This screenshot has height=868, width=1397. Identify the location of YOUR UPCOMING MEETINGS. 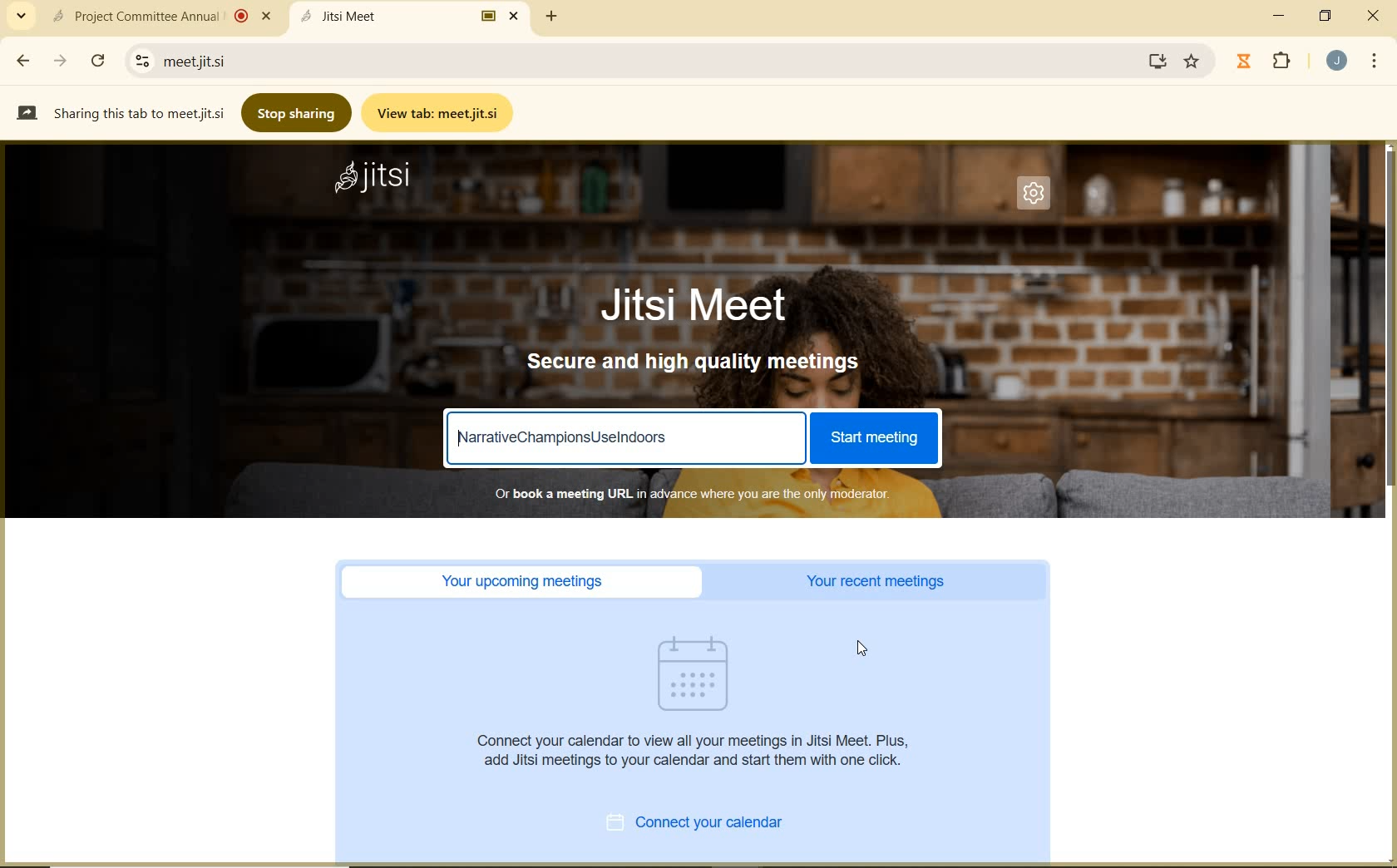
(527, 582).